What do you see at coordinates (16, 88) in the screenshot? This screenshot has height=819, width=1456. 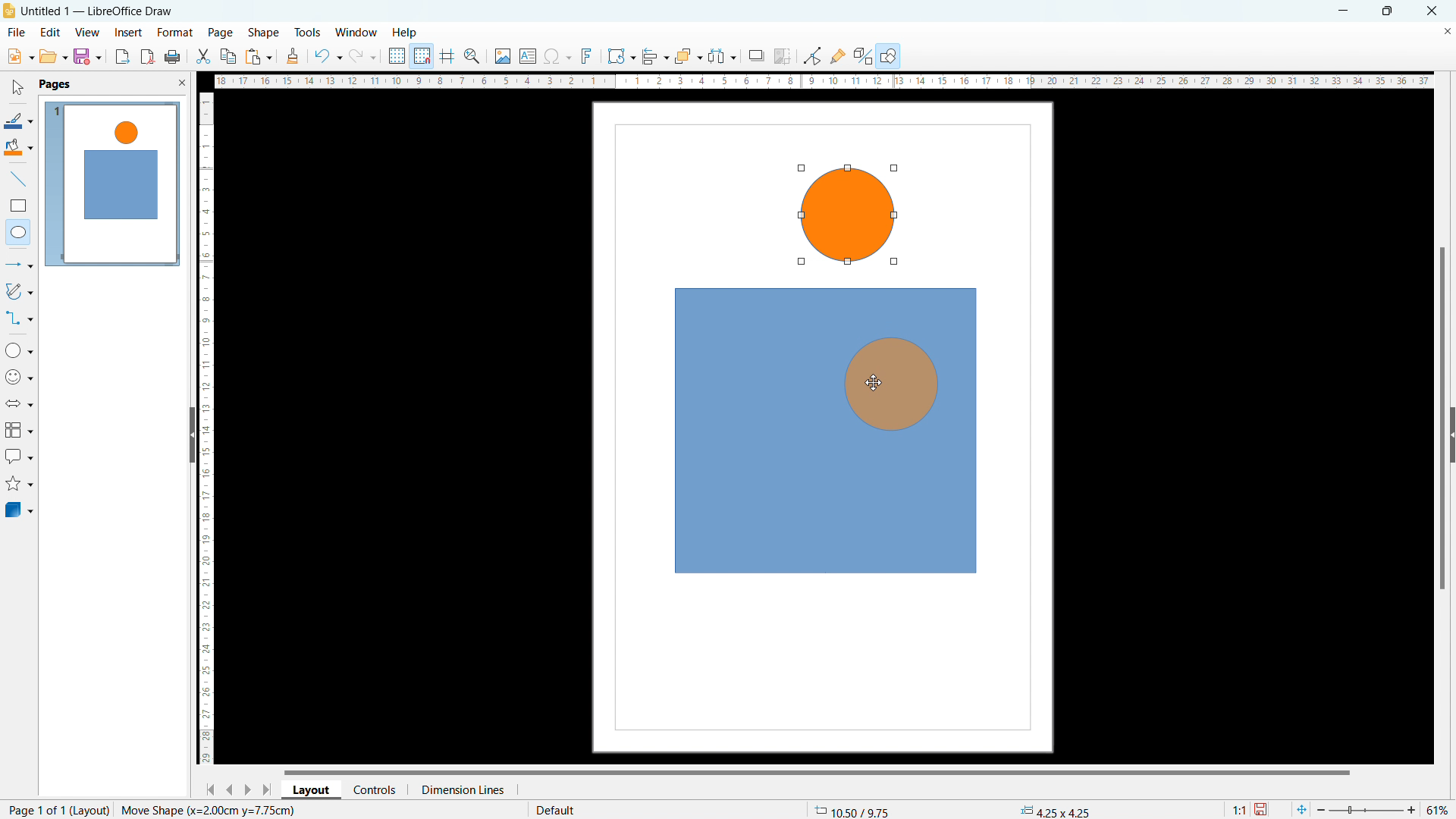 I see `select` at bounding box center [16, 88].